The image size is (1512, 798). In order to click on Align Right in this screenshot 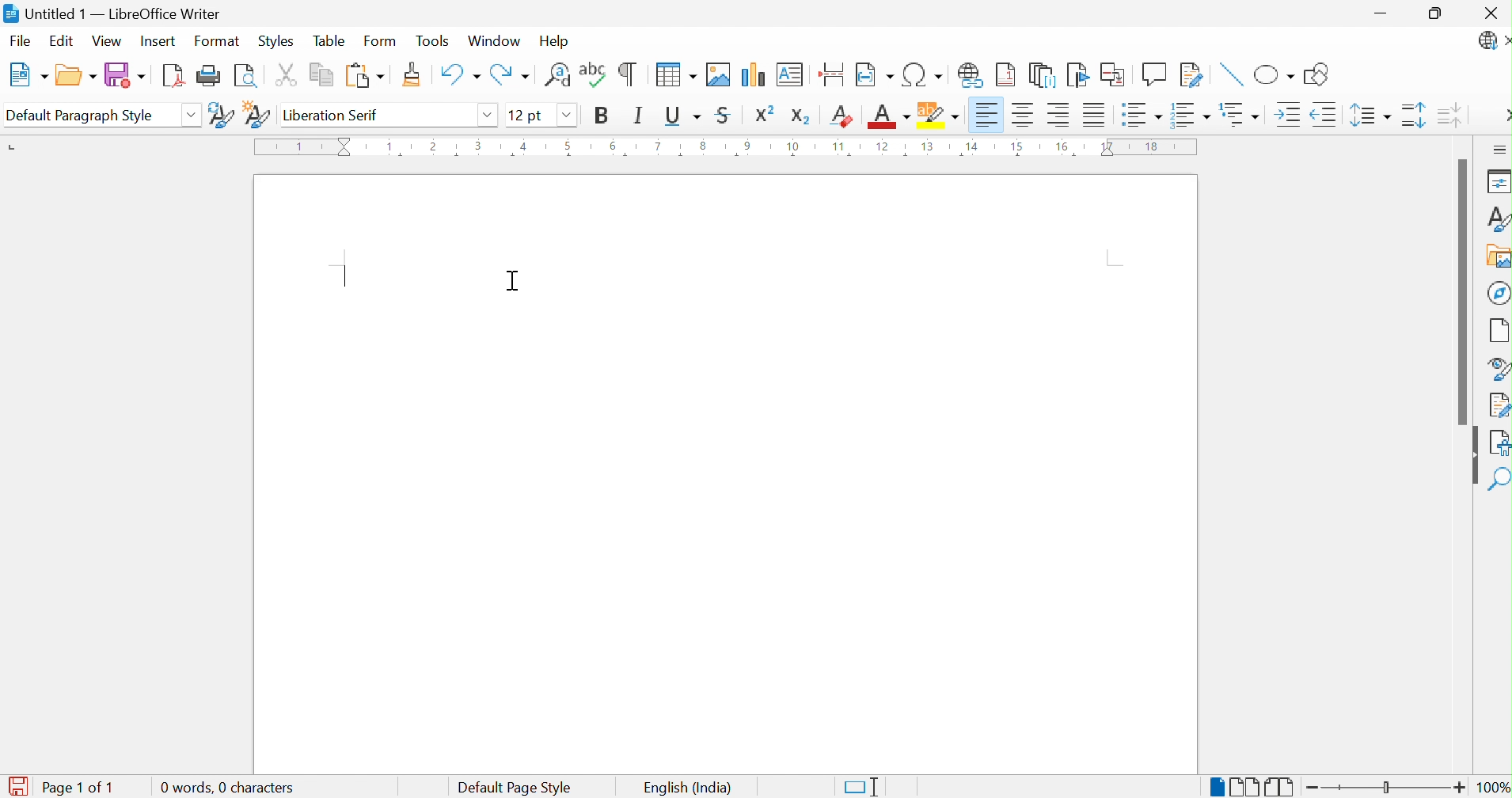, I will do `click(1059, 113)`.